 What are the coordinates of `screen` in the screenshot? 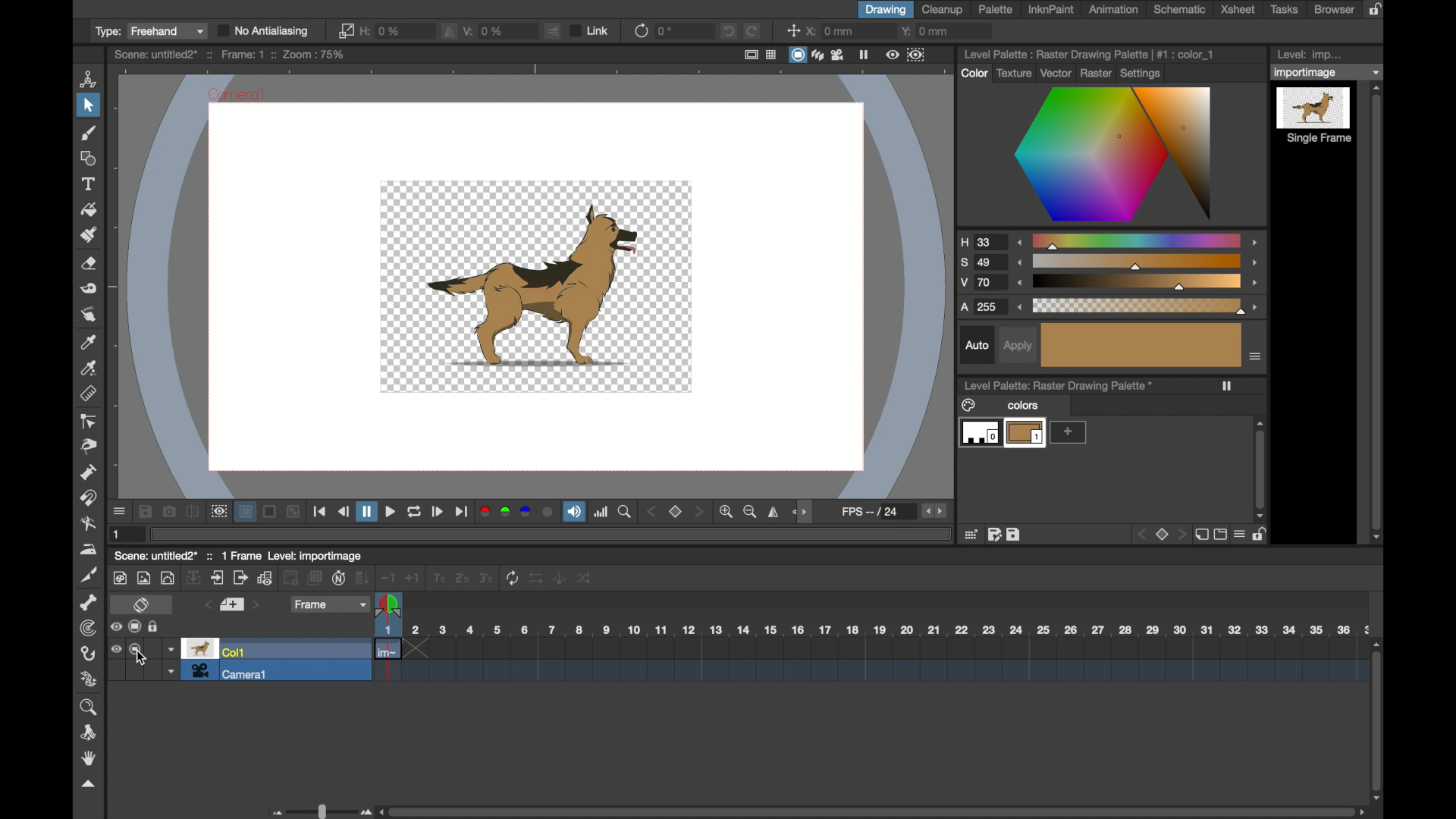 It's located at (270, 512).